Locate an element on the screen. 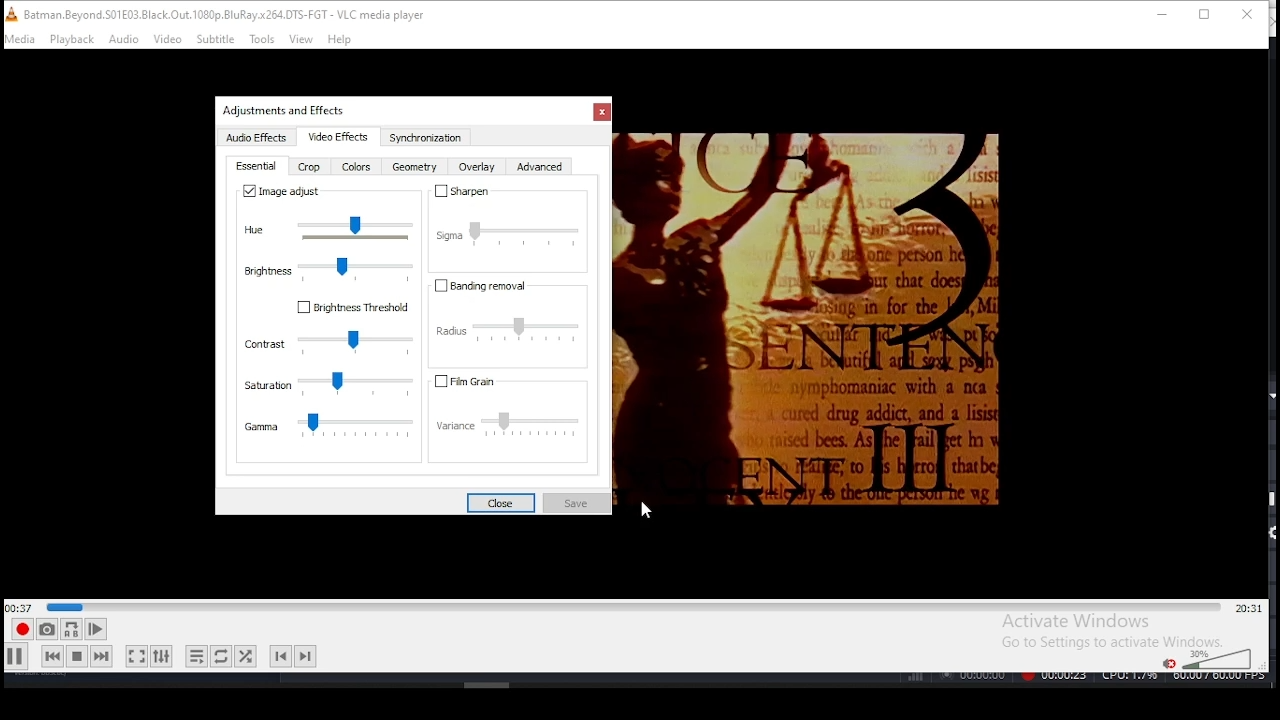  save is located at coordinates (577, 504).